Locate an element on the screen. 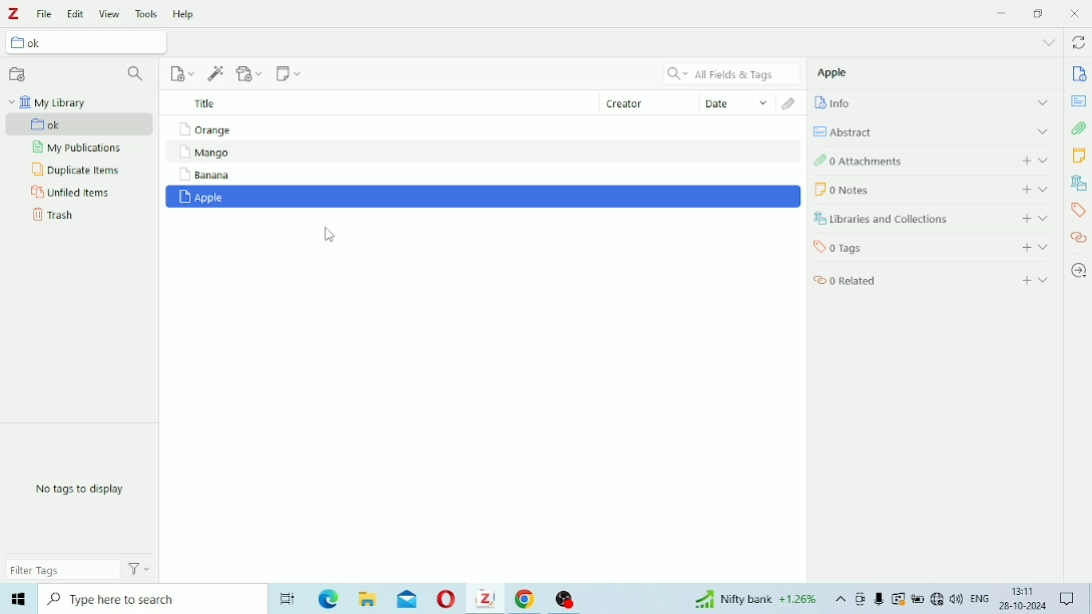 The image size is (1092, 614). View is located at coordinates (110, 12).